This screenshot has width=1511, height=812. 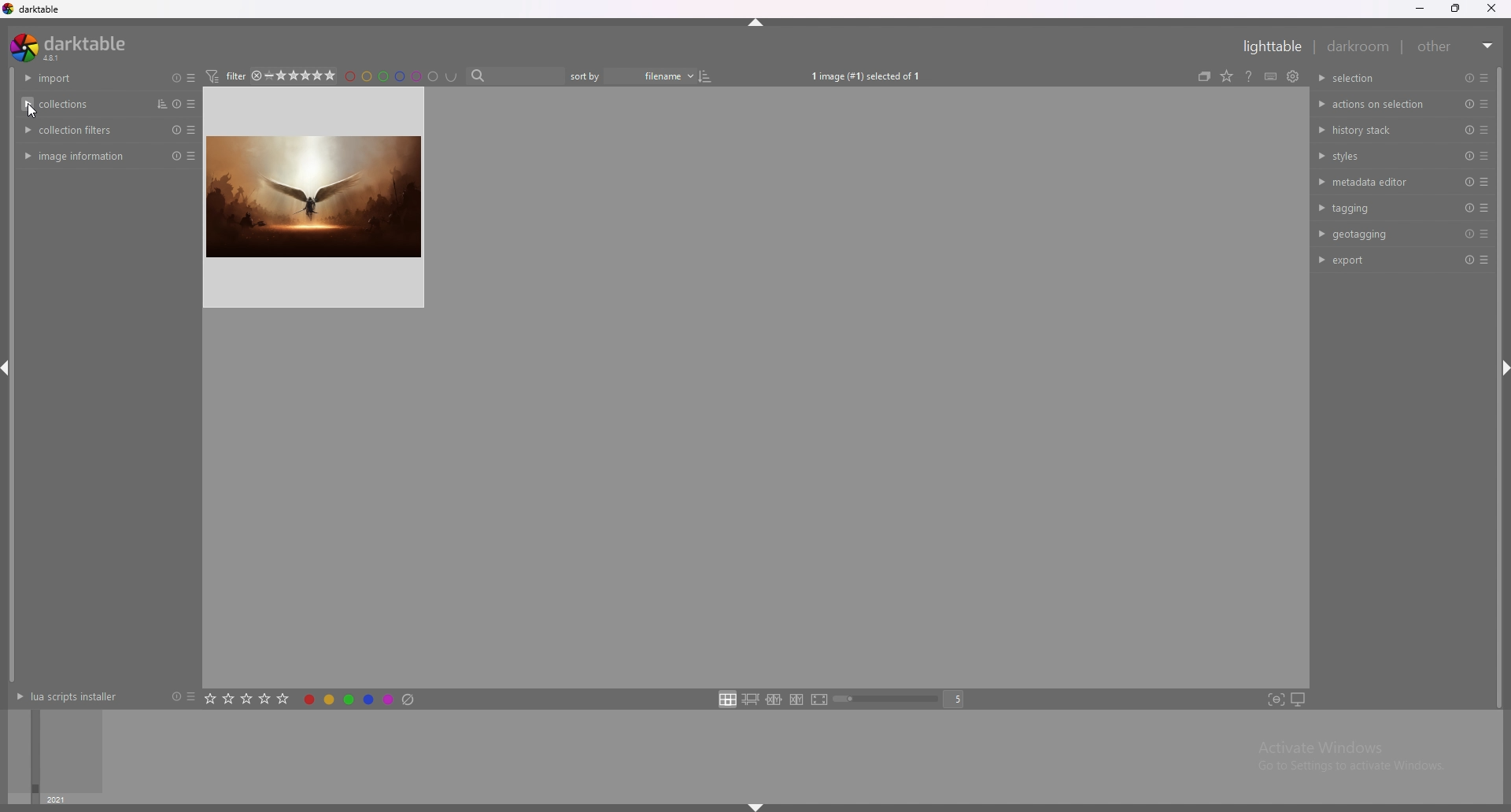 I want to click on collection filters, so click(x=81, y=129).